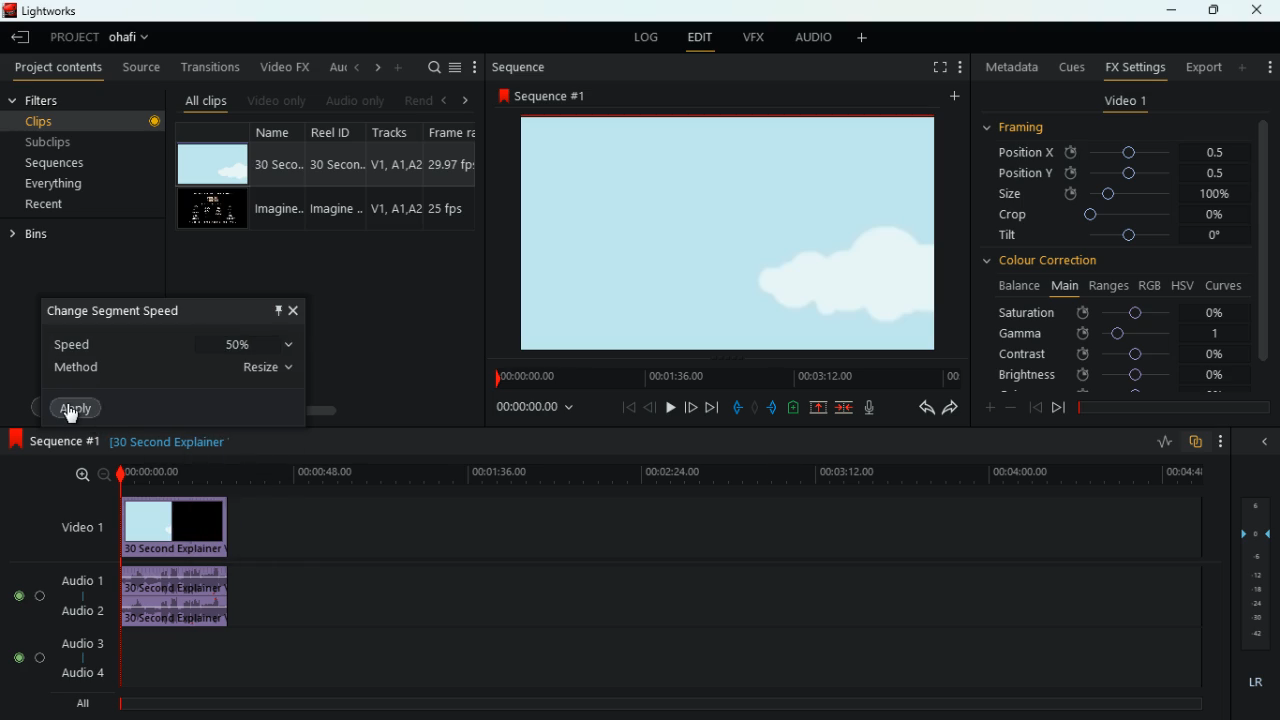  What do you see at coordinates (671, 407) in the screenshot?
I see `play` at bounding box center [671, 407].